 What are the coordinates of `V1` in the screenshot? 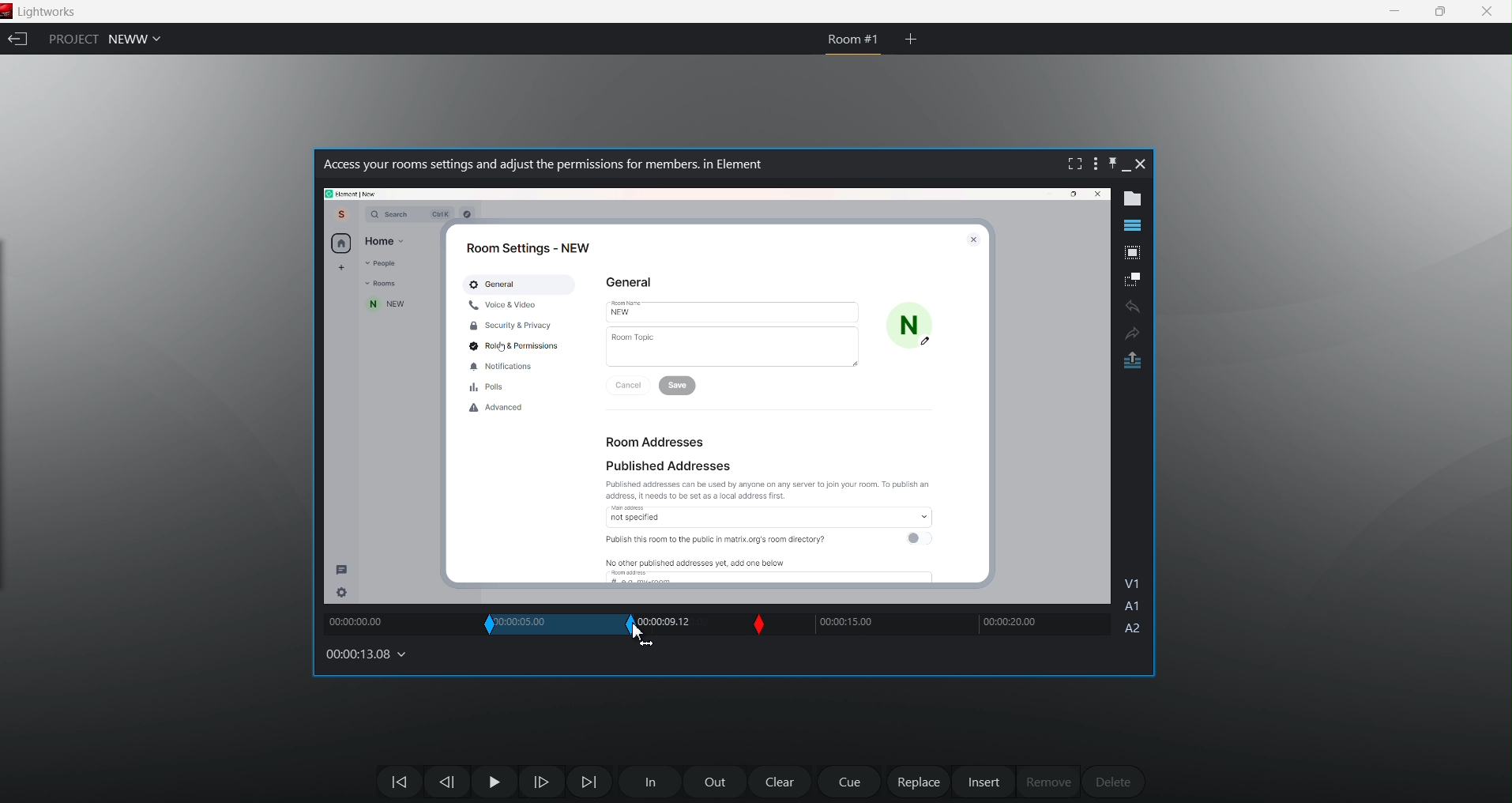 It's located at (1132, 581).